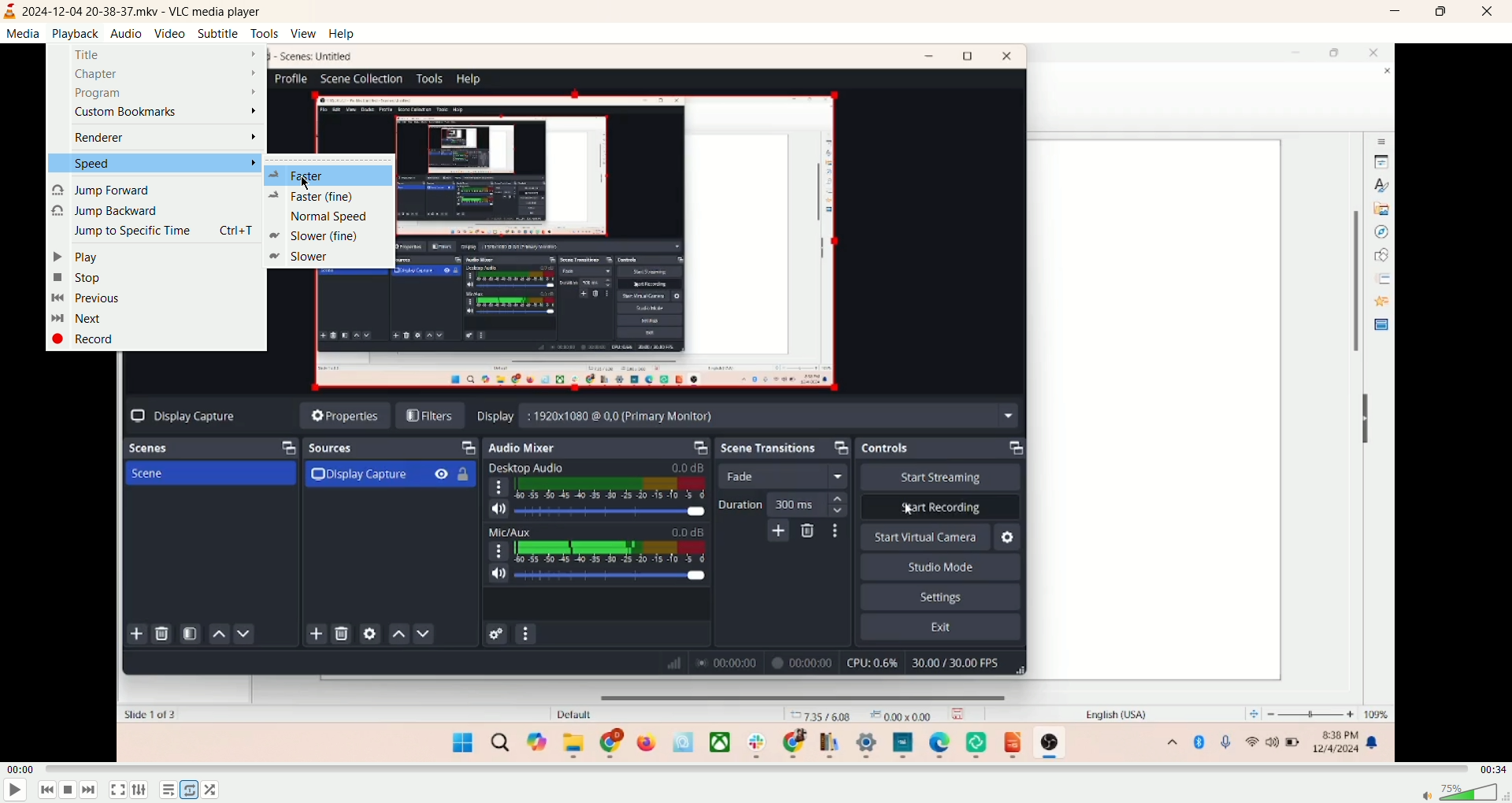 The image size is (1512, 803). Describe the element at coordinates (106, 209) in the screenshot. I see `jump backward` at that location.